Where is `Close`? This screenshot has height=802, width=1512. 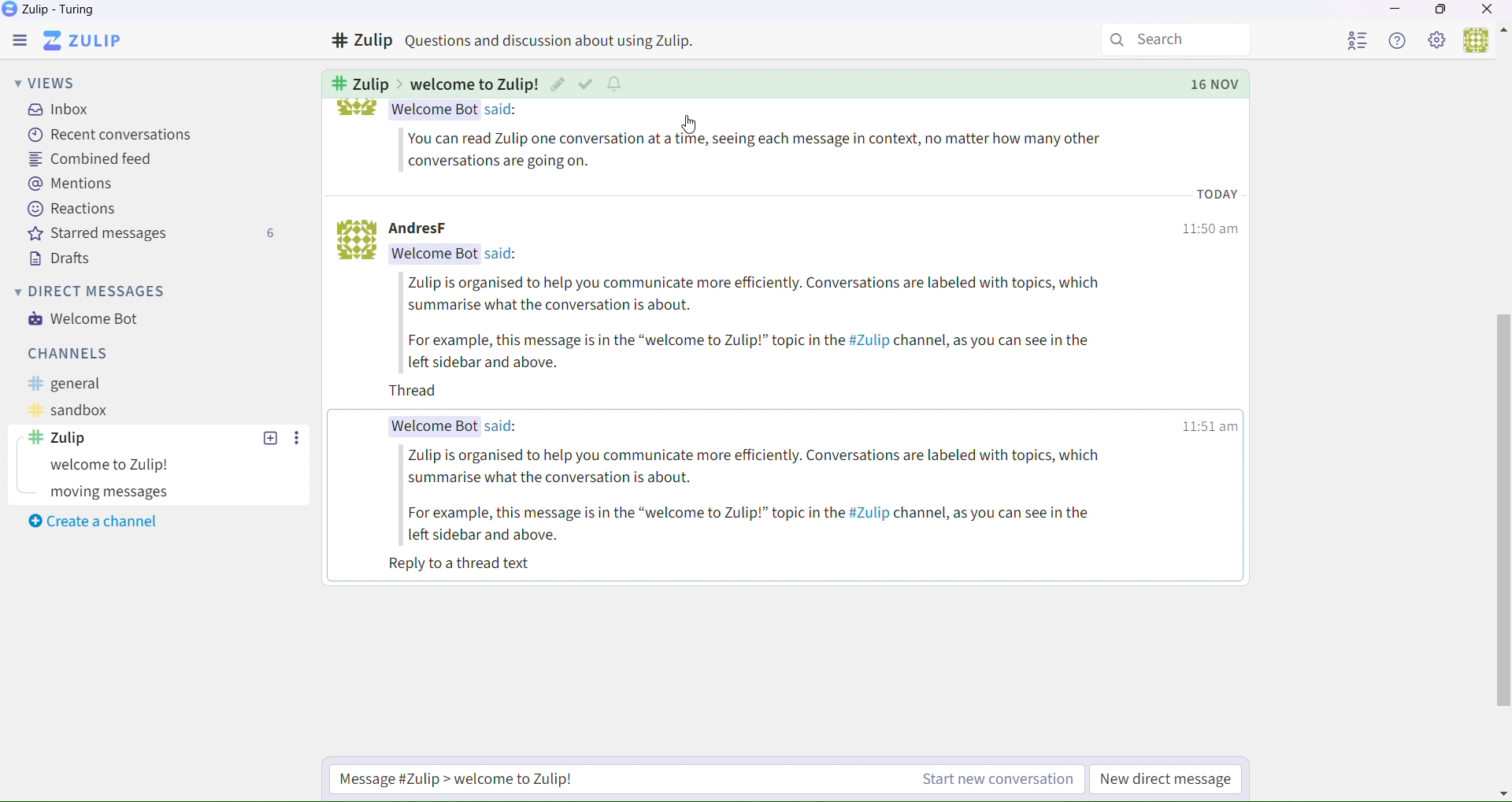
Close is located at coordinates (1488, 10).